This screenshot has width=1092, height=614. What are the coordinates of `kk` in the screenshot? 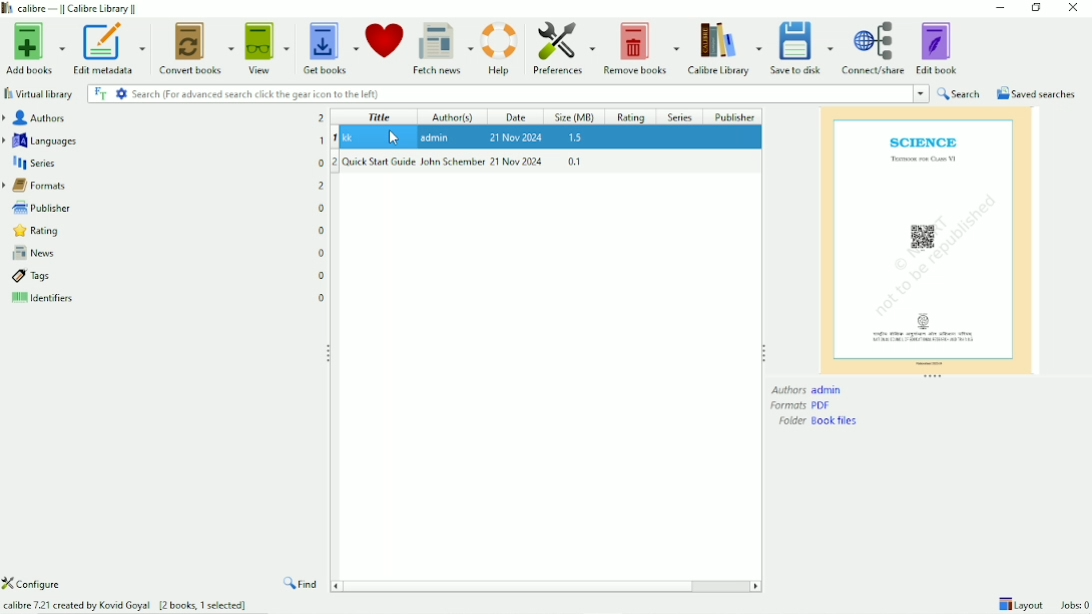 It's located at (362, 138).